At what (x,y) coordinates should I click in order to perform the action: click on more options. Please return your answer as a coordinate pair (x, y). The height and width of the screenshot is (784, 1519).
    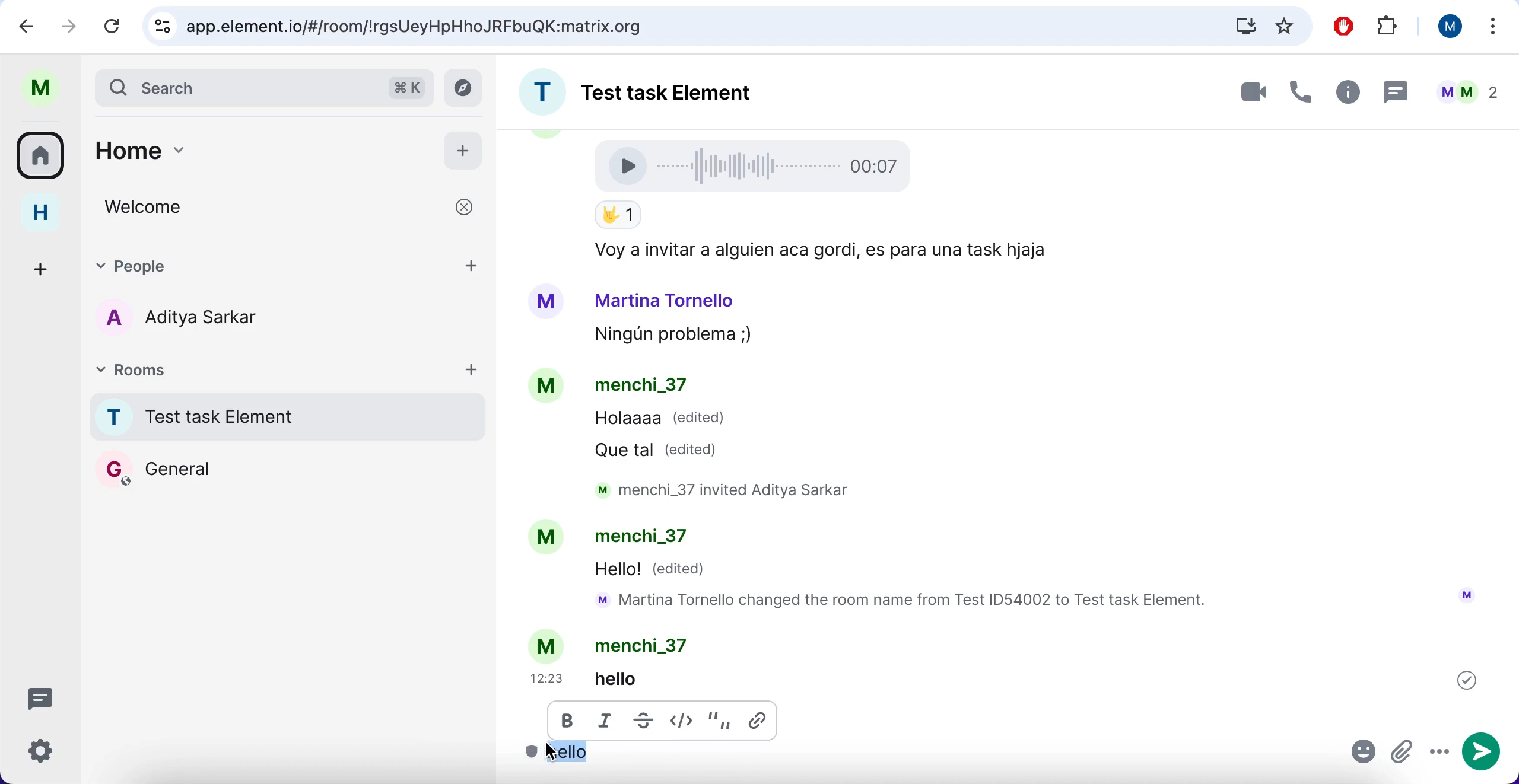
    Looking at the image, I should click on (1494, 29).